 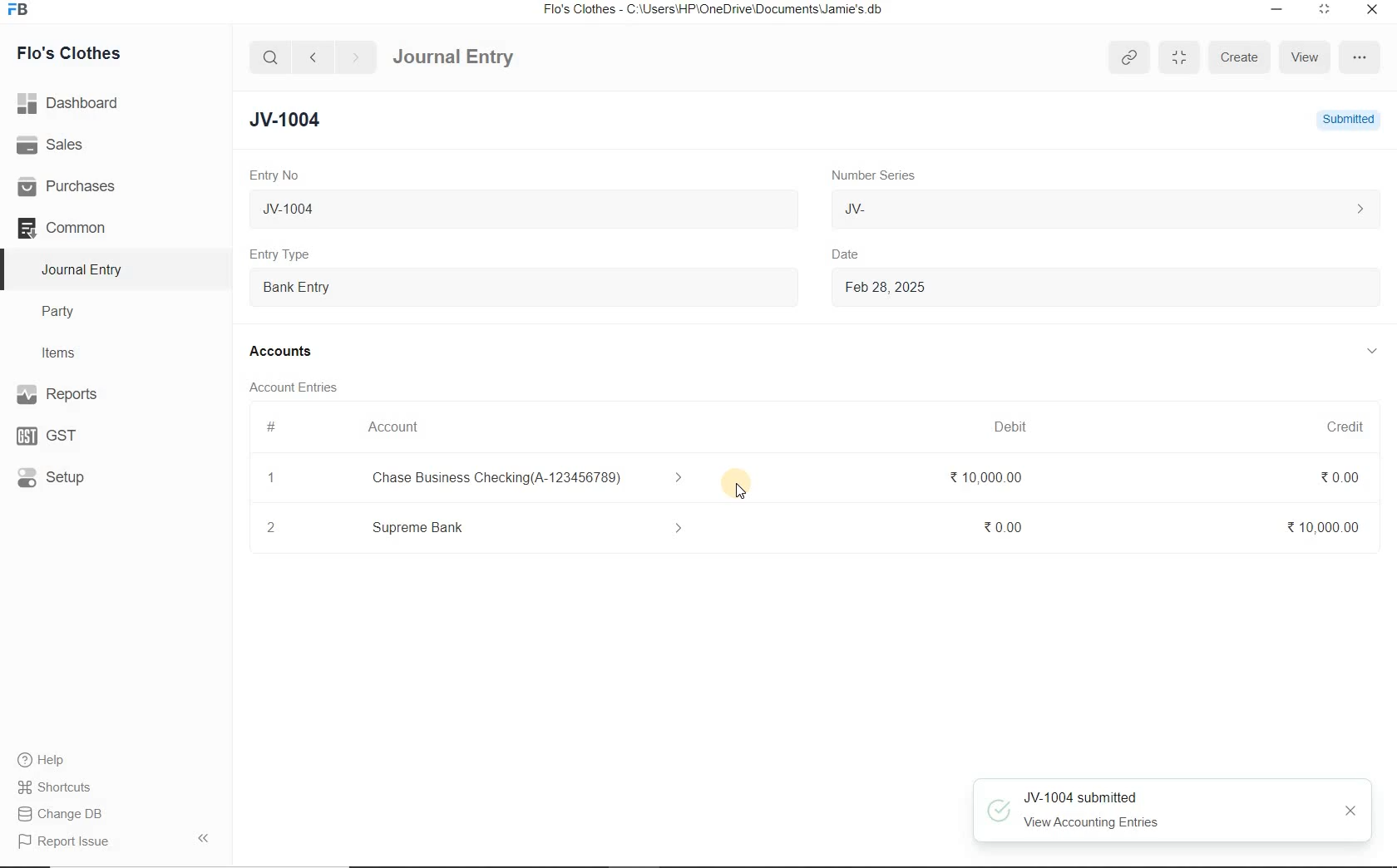 I want to click on close, so click(x=1348, y=811).